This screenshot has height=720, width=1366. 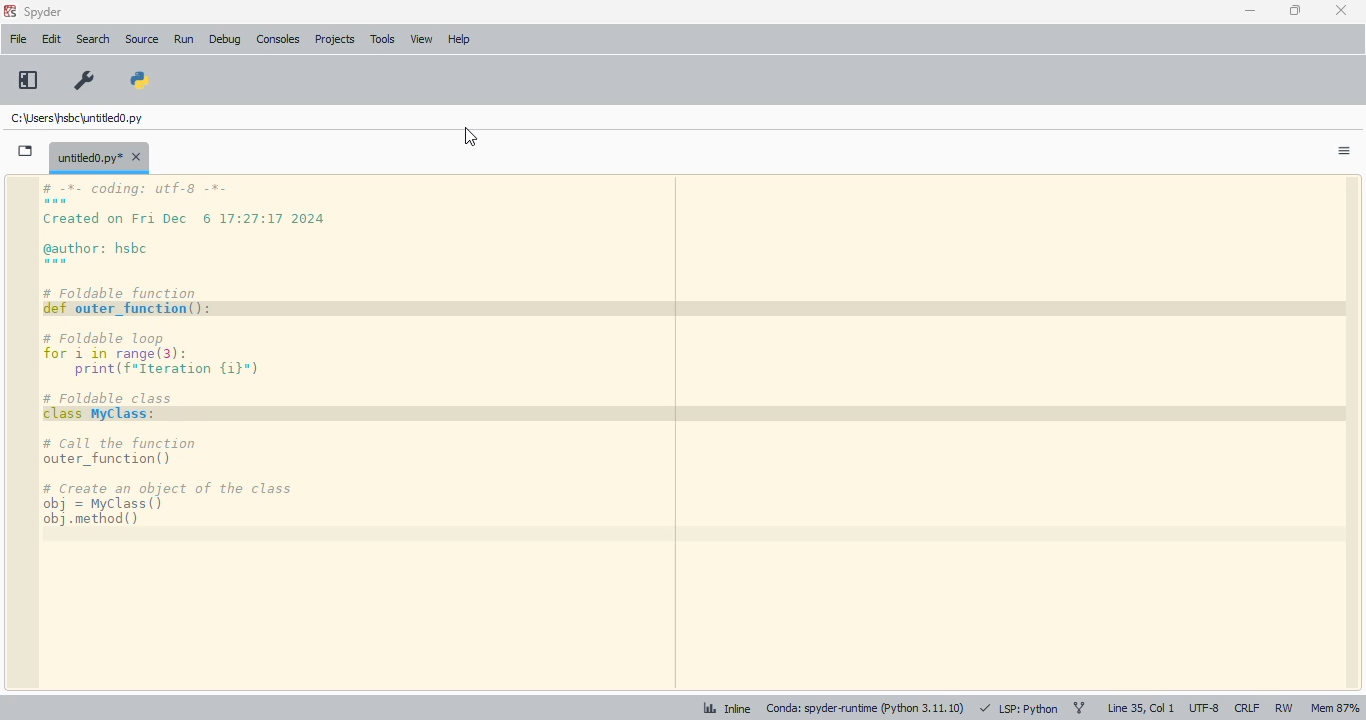 I want to click on CRLF , so click(x=1247, y=708).